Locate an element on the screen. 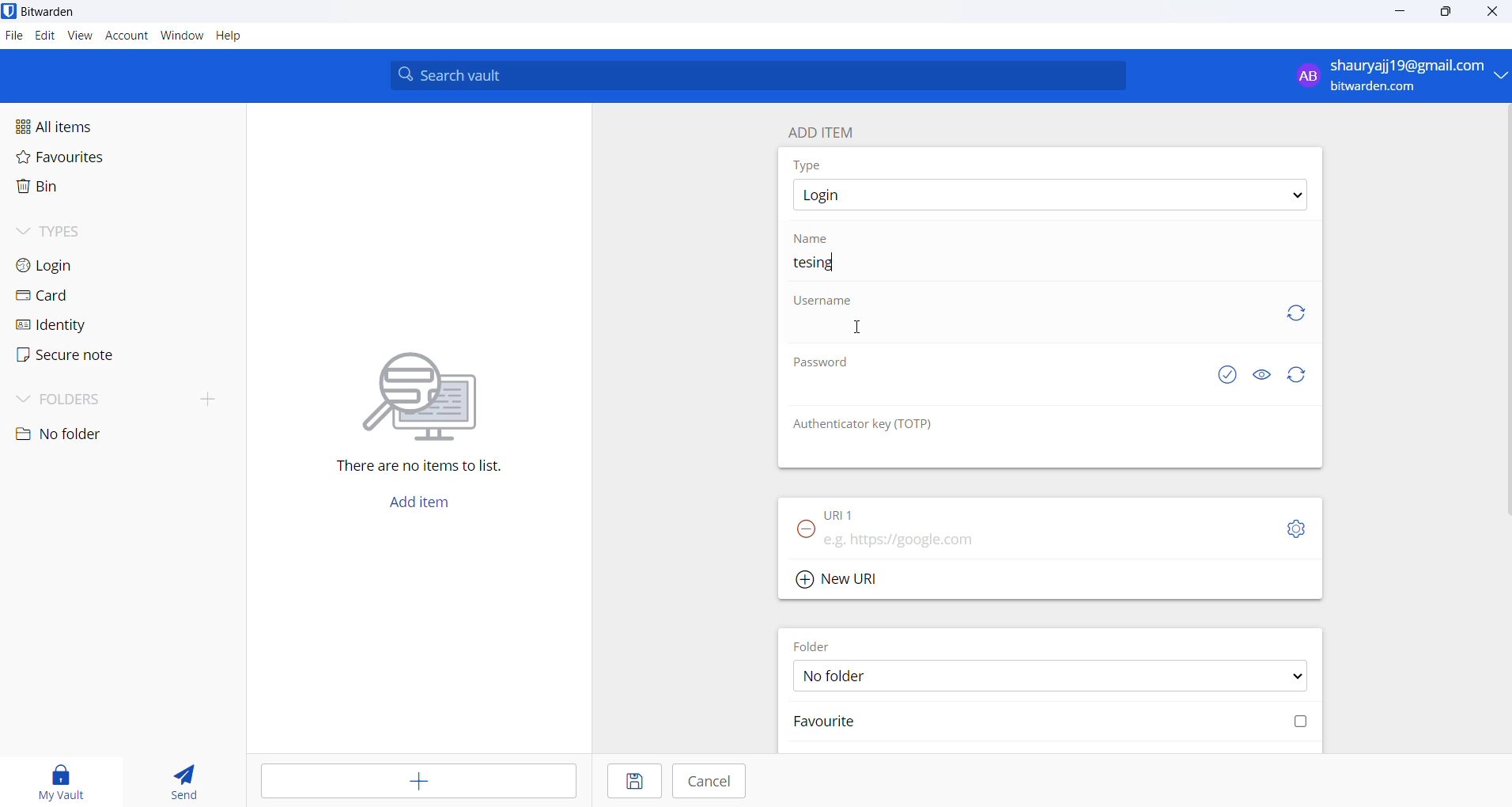 Image resolution: width=1512 pixels, height=807 pixels. OTP text box is located at coordinates (1034, 452).